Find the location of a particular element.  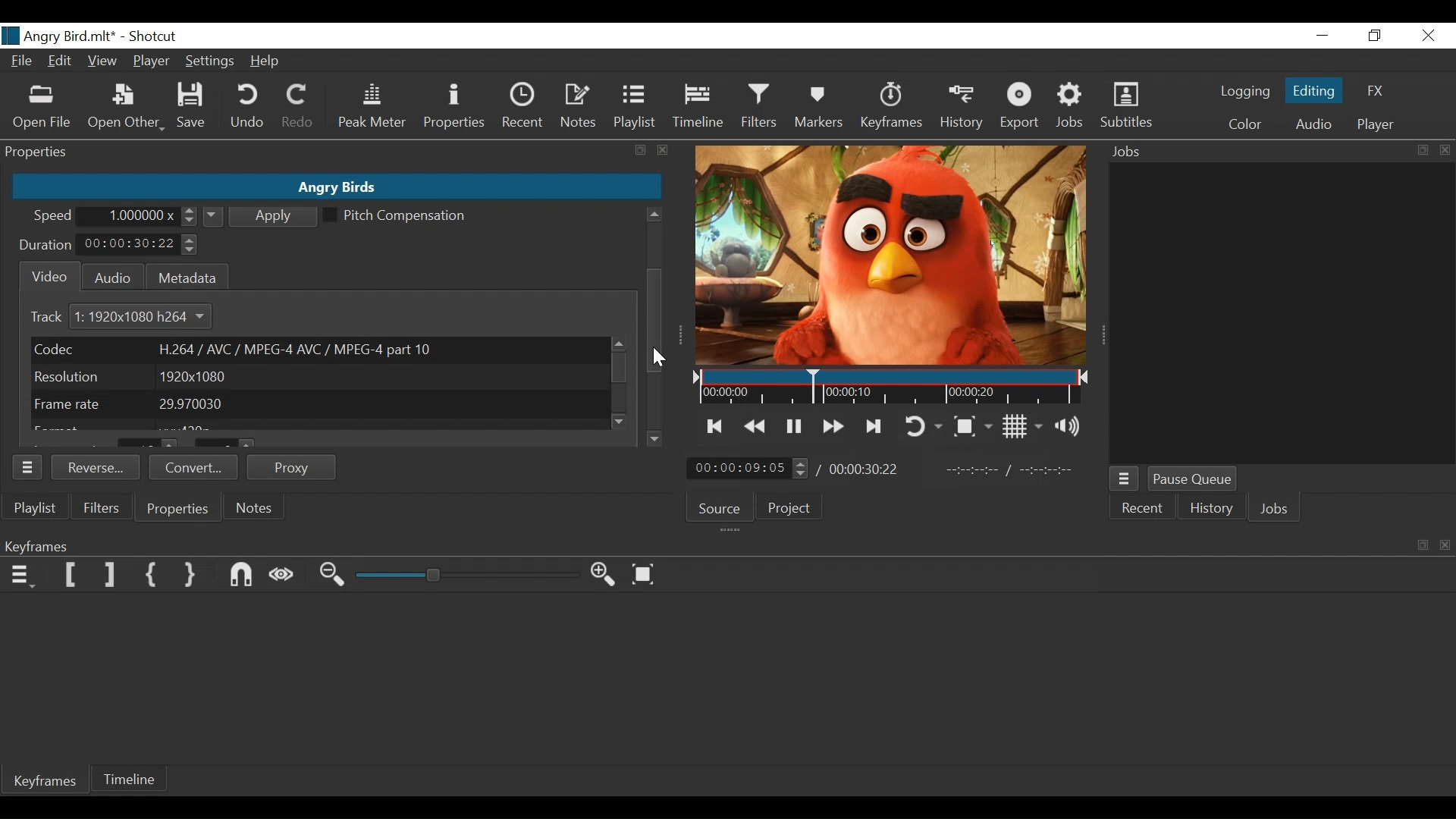

Playlist is located at coordinates (636, 108).